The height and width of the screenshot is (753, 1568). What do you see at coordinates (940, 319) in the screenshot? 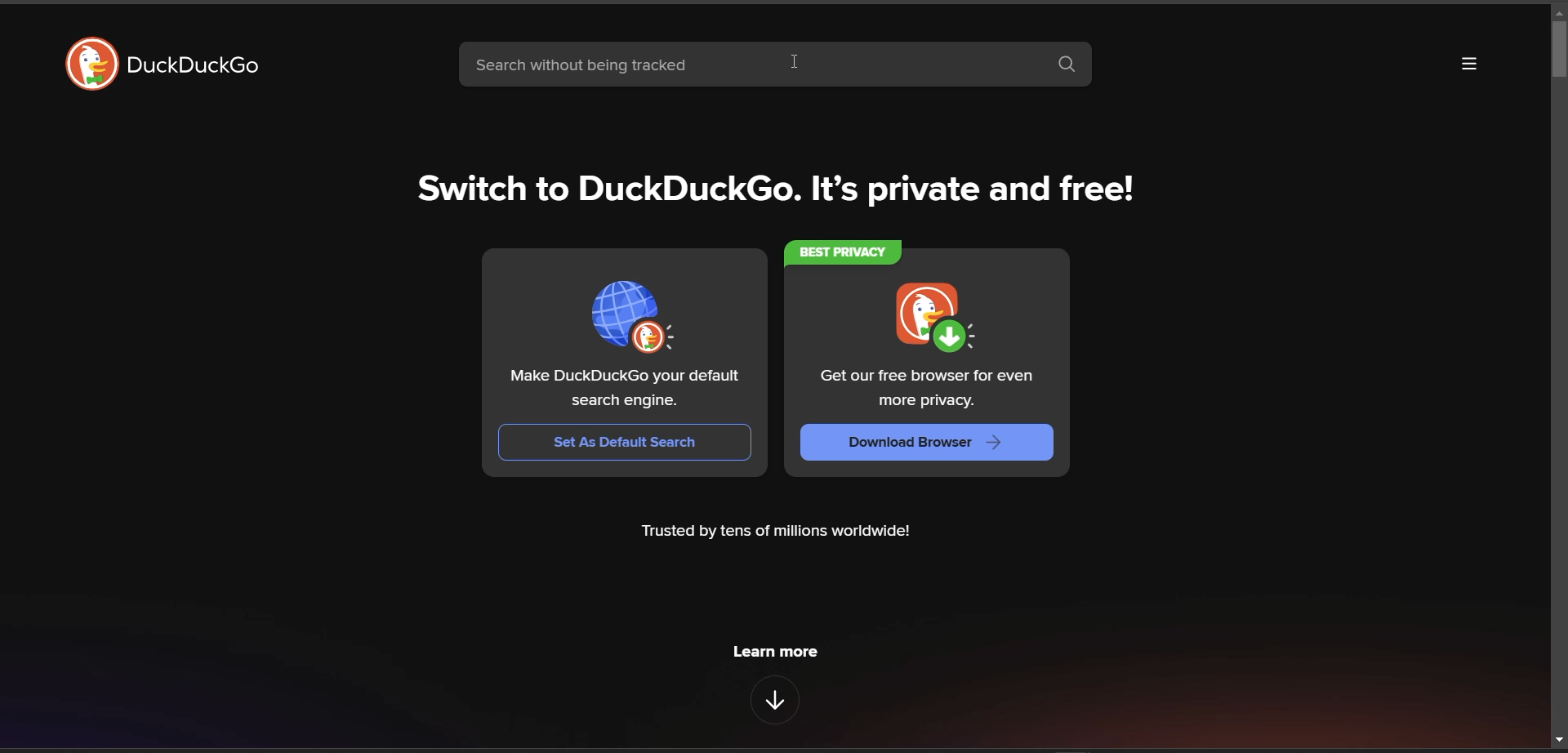
I see `icon` at bounding box center [940, 319].